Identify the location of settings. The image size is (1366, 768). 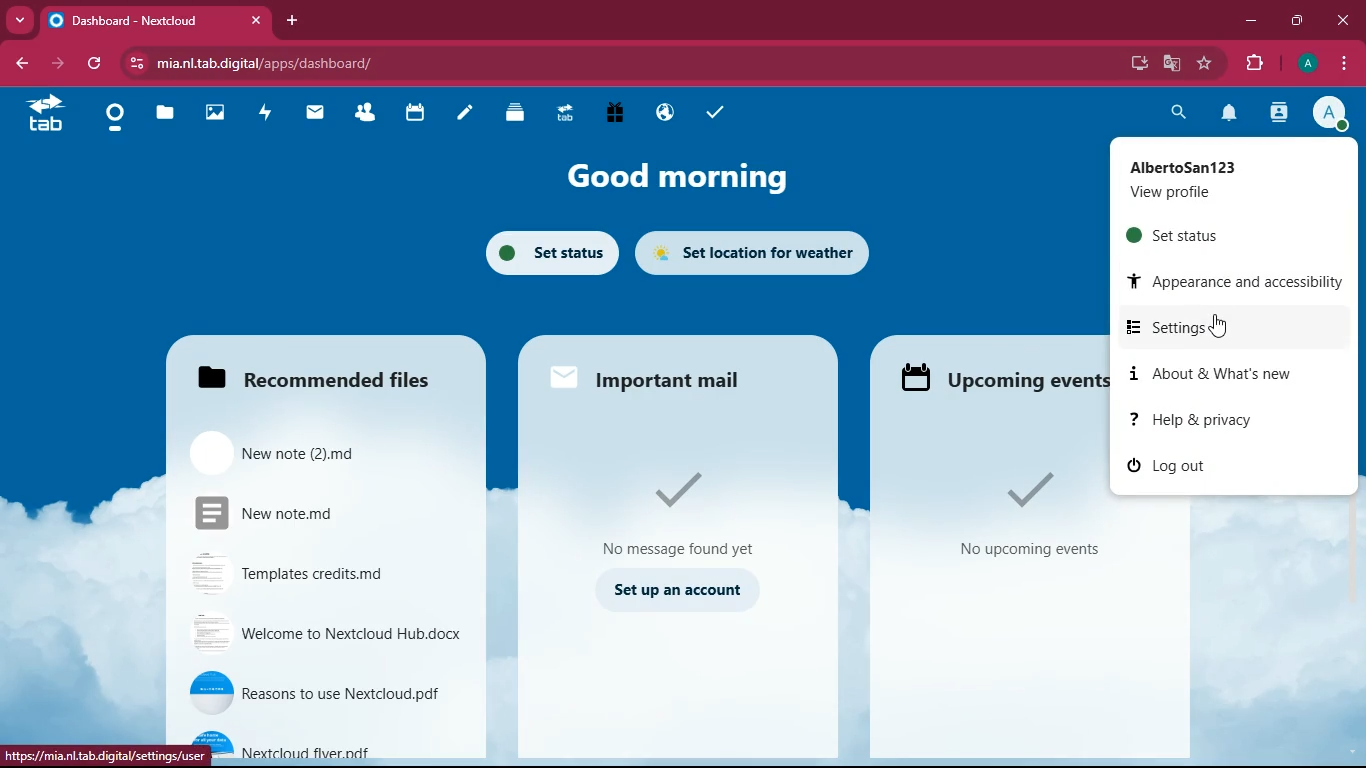
(1227, 326).